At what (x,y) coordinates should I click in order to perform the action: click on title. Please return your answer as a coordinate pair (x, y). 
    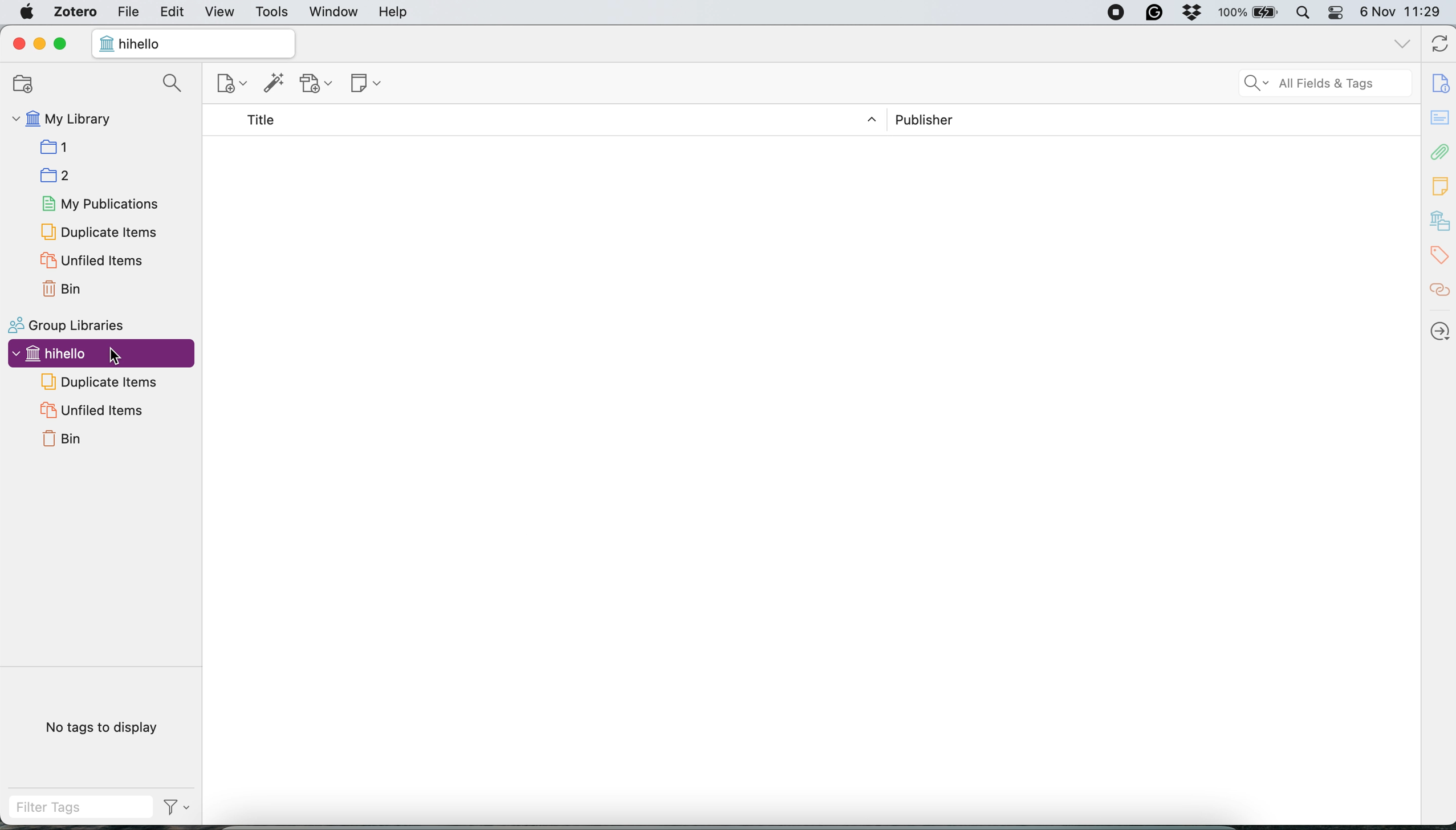
    Looking at the image, I should click on (271, 118).